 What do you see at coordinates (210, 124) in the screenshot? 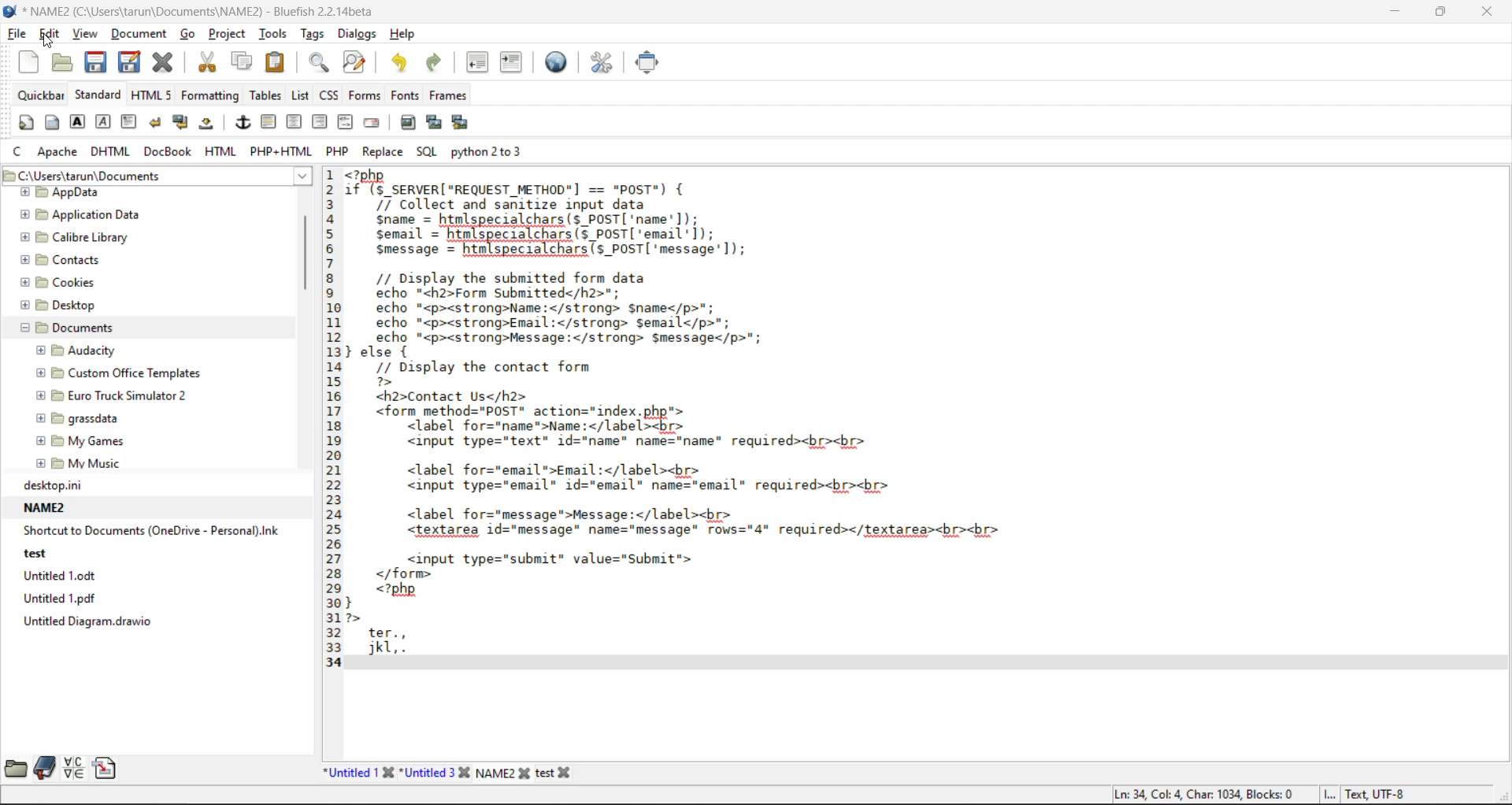
I see `non breaking space` at bounding box center [210, 124].